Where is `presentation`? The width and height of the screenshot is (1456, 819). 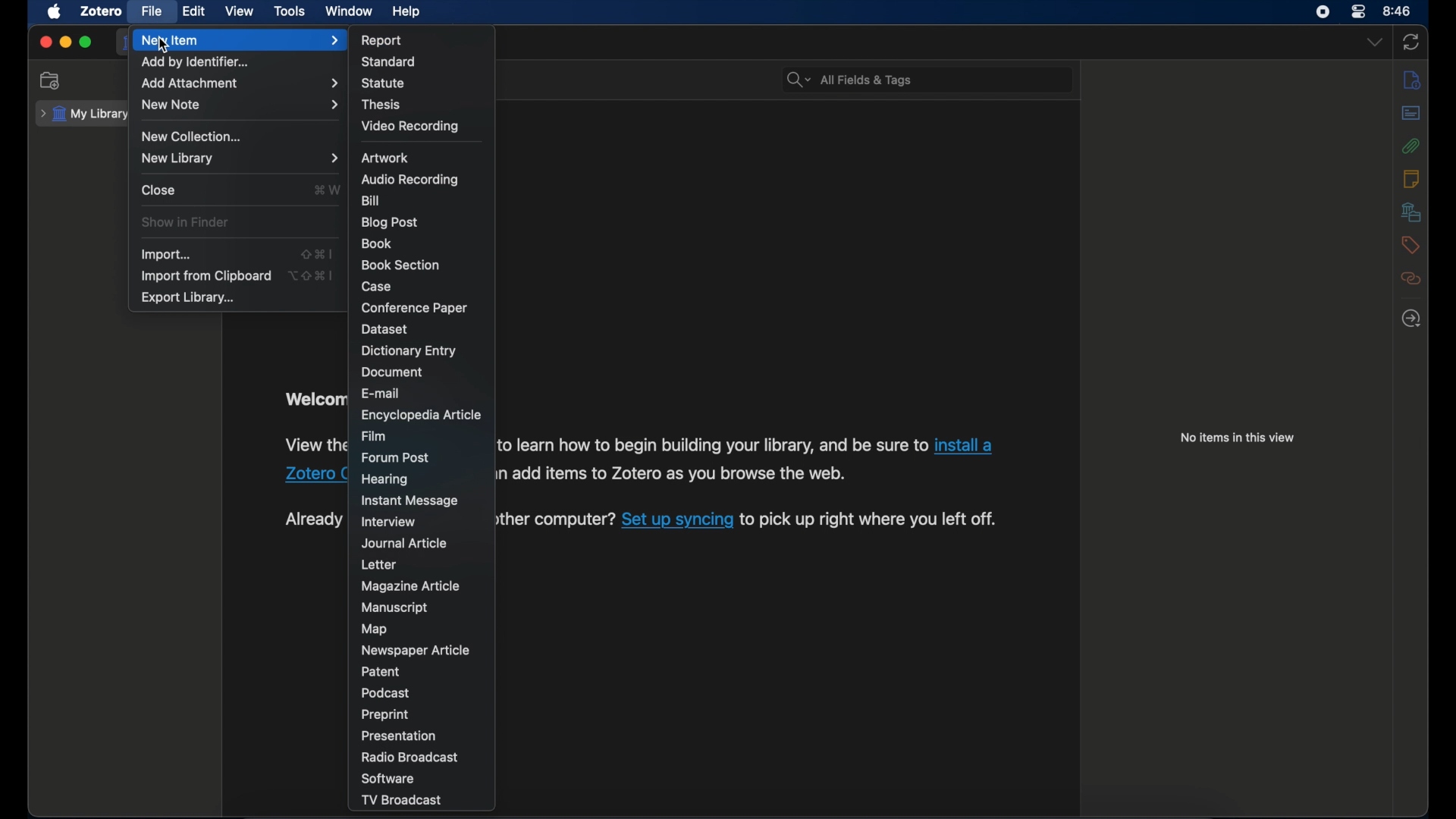
presentation is located at coordinates (401, 736).